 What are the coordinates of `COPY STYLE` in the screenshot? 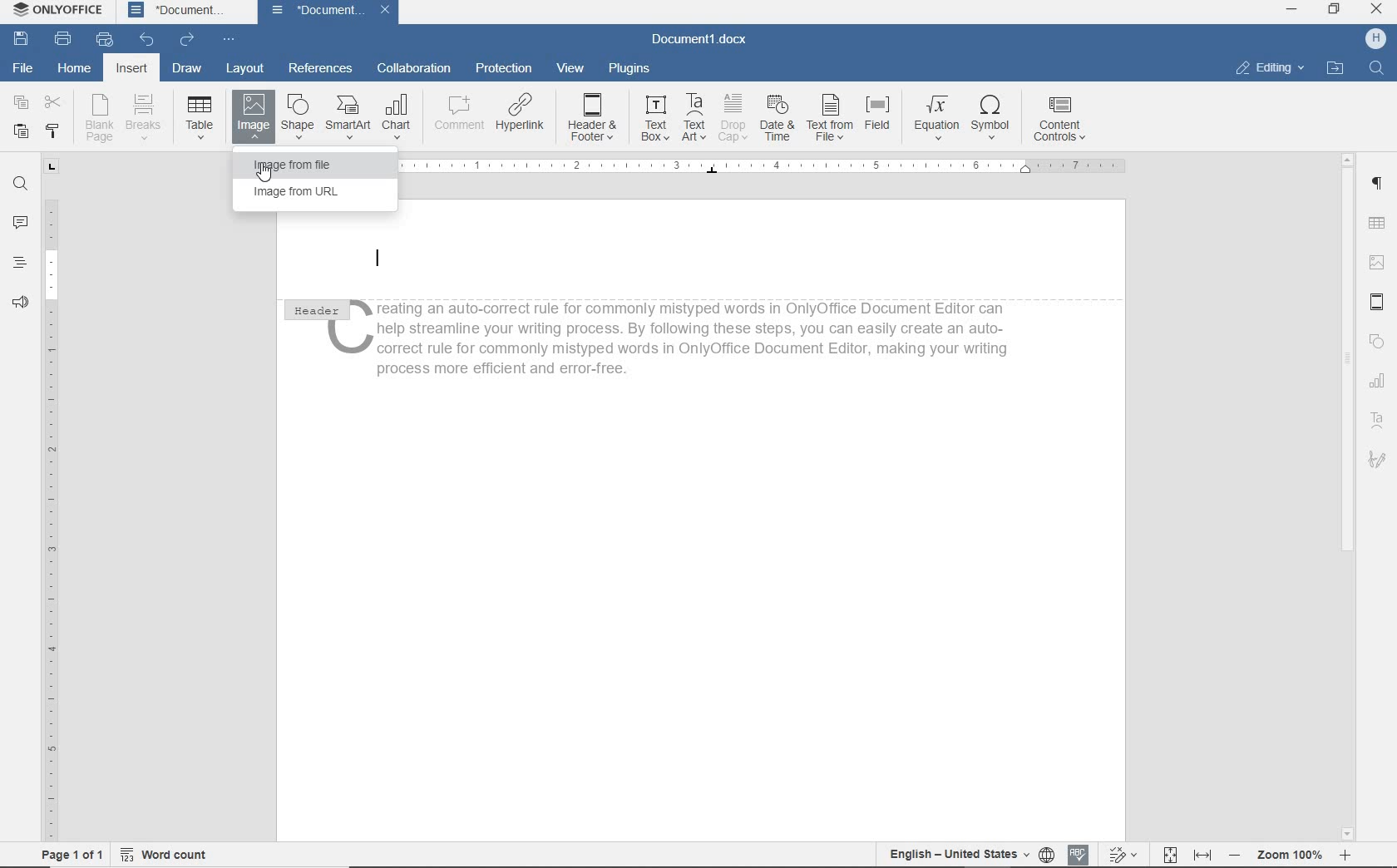 It's located at (55, 131).